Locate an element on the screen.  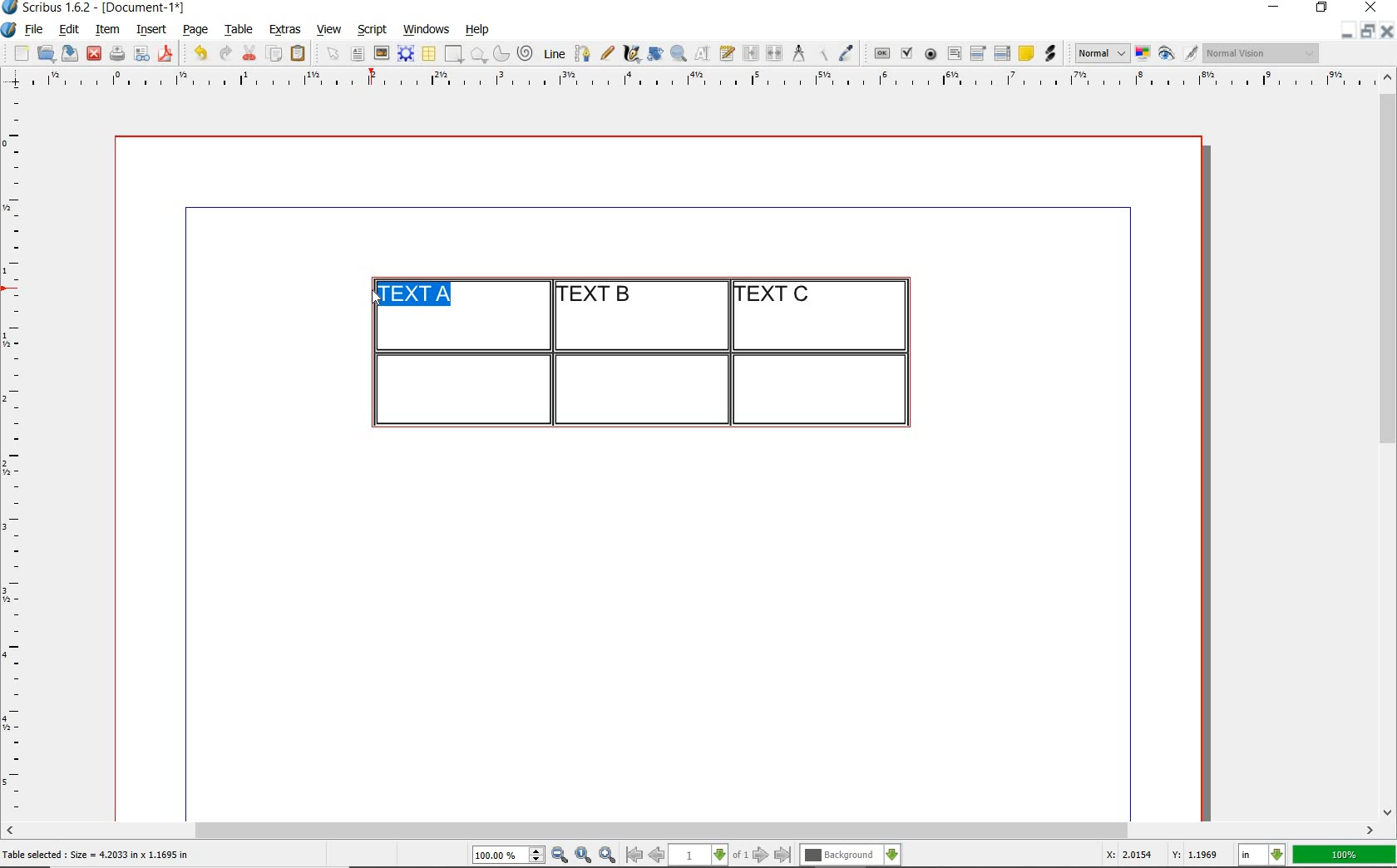
insert is located at coordinates (151, 30).